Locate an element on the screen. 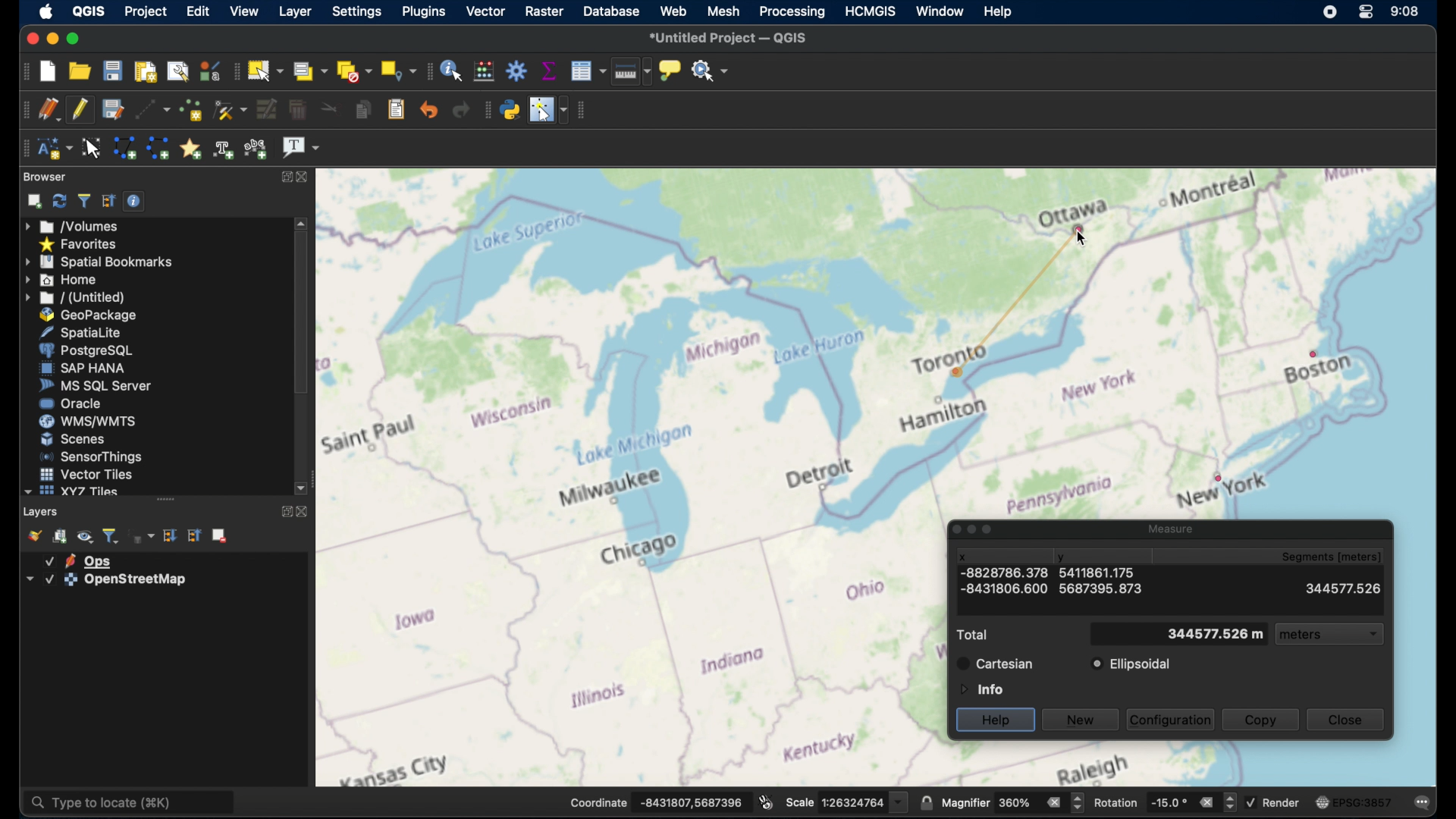 The width and height of the screenshot is (1456, 819). show map tips is located at coordinates (672, 71).